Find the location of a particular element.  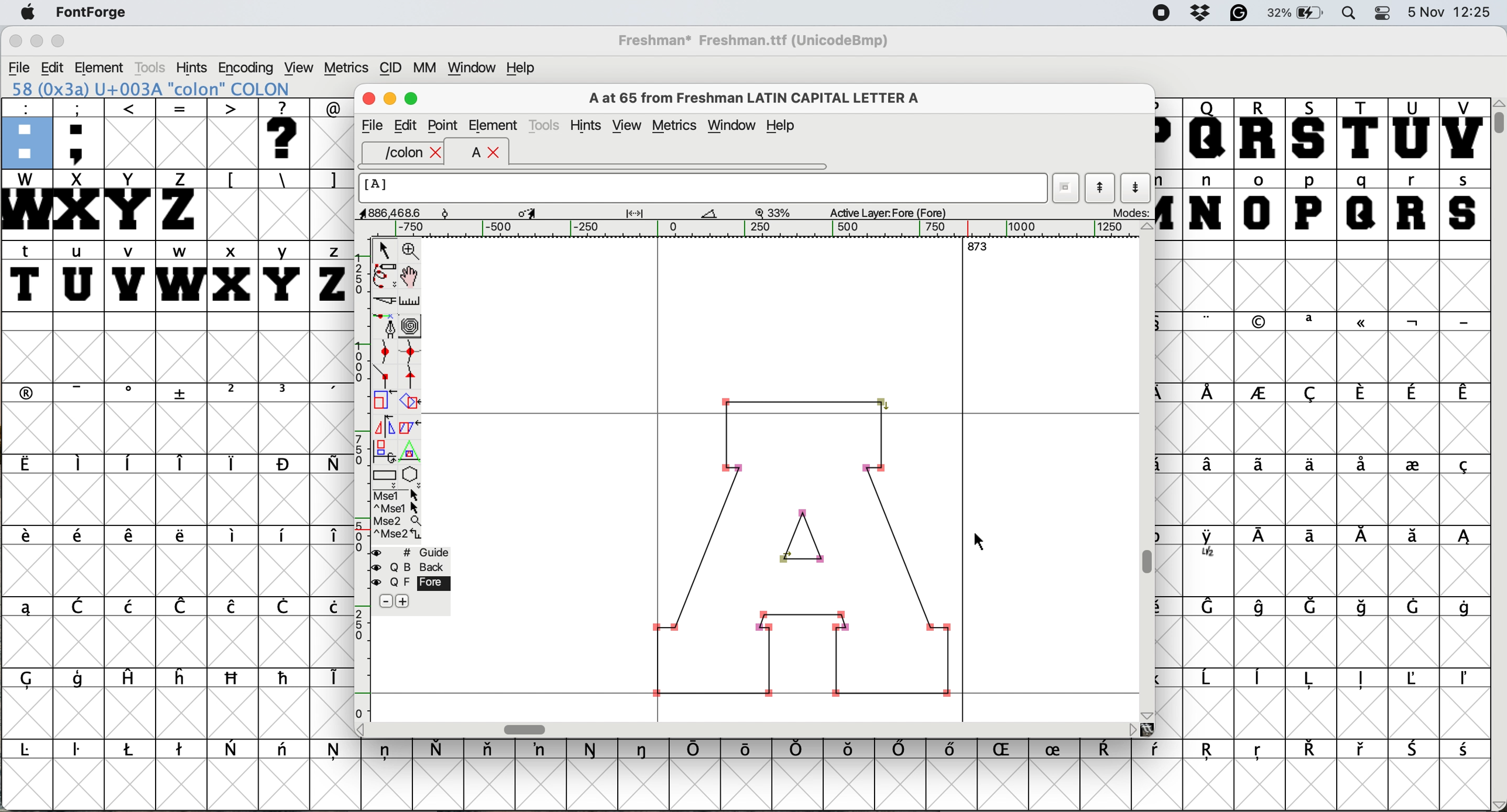

symbol is located at coordinates (902, 750).